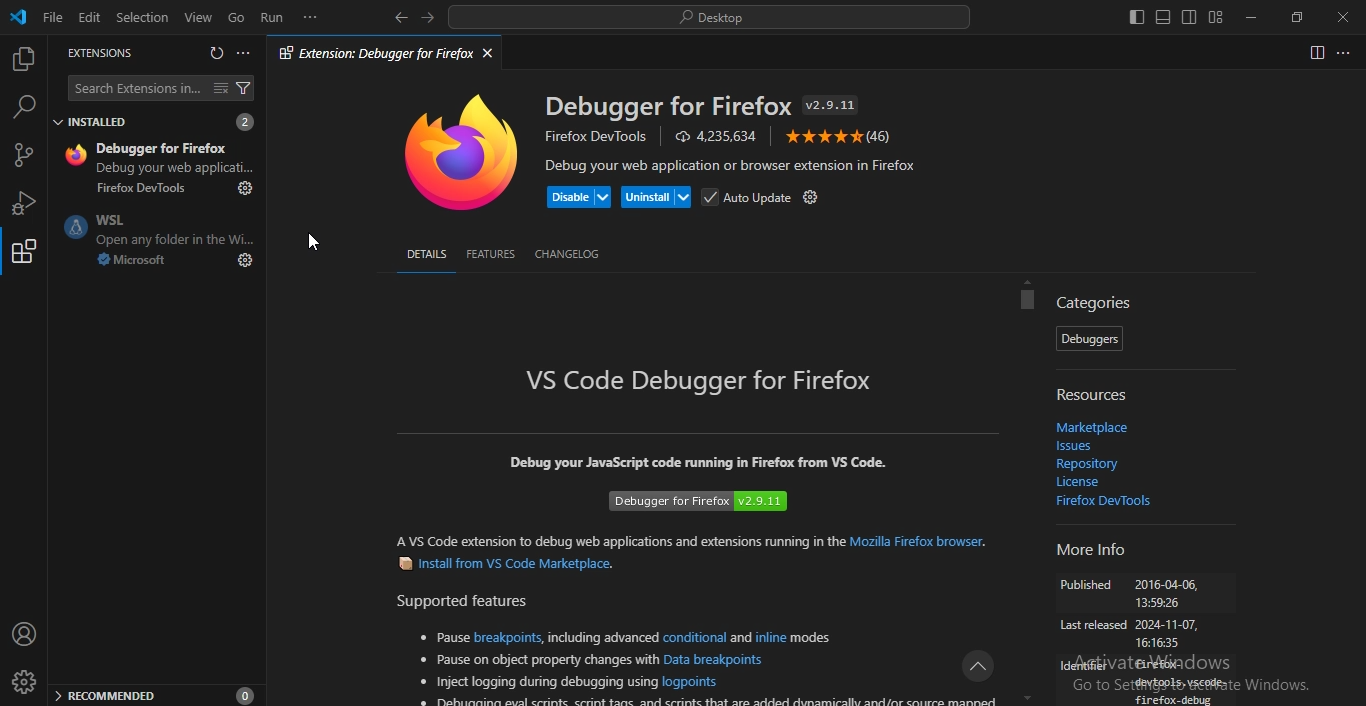 This screenshot has width=1366, height=706. I want to click on extensions, so click(24, 257).